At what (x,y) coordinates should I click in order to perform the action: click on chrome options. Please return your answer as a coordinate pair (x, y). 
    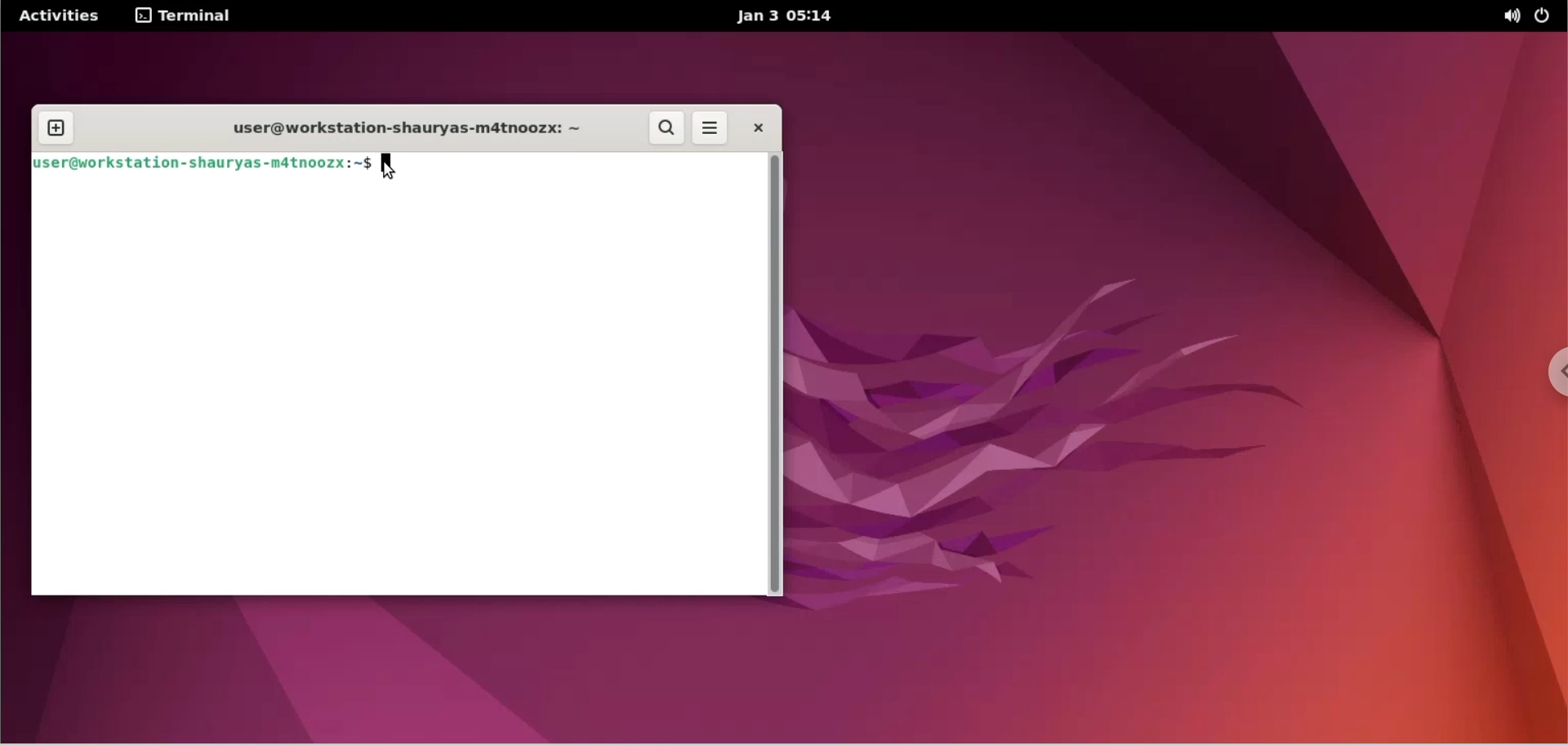
    Looking at the image, I should click on (1544, 372).